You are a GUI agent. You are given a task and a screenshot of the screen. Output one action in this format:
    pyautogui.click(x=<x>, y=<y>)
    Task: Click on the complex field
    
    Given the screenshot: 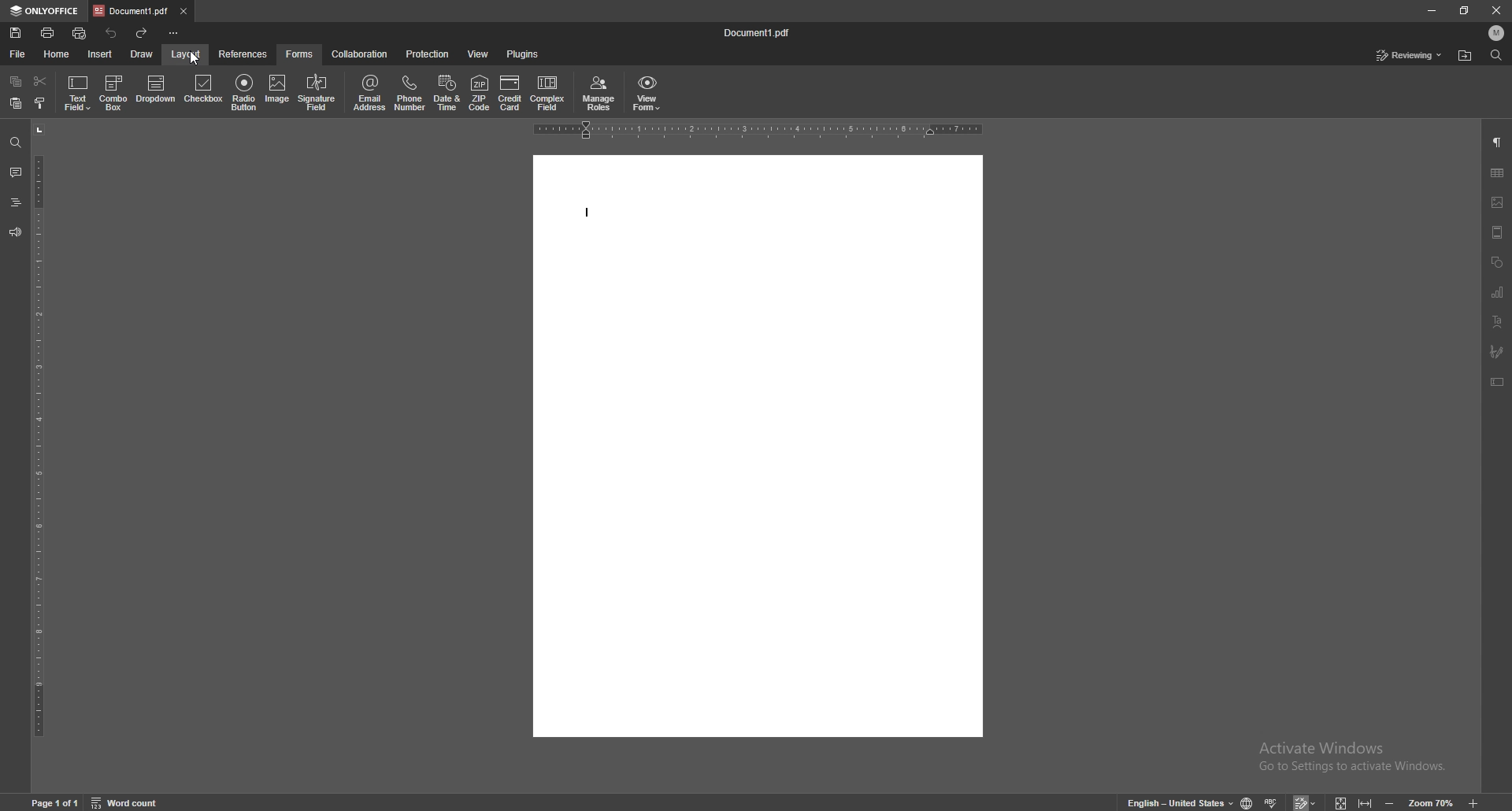 What is the action you would take?
    pyautogui.click(x=550, y=91)
    